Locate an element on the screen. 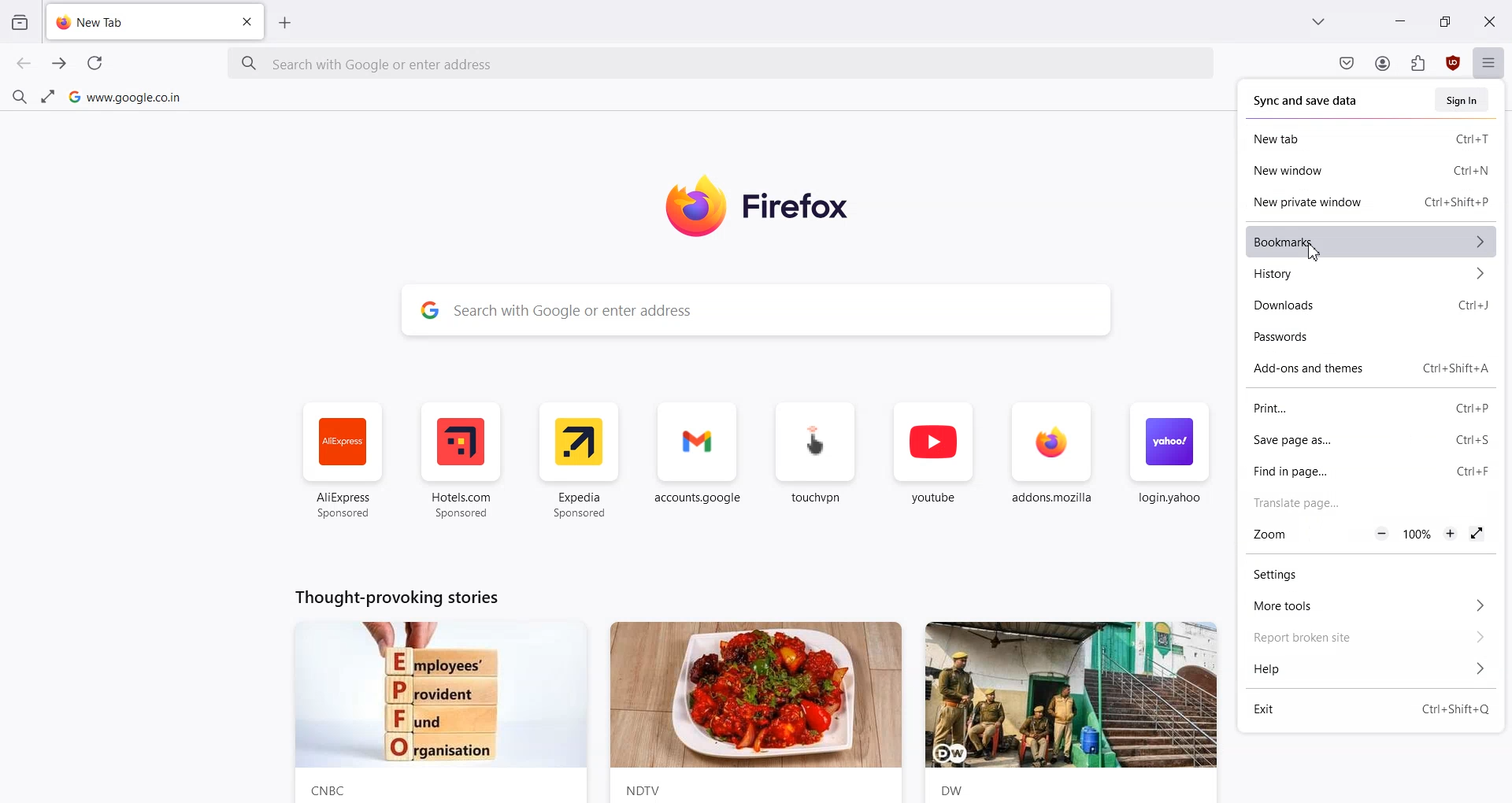 This screenshot has width=1512, height=803. sync and save data is located at coordinates (1308, 102).